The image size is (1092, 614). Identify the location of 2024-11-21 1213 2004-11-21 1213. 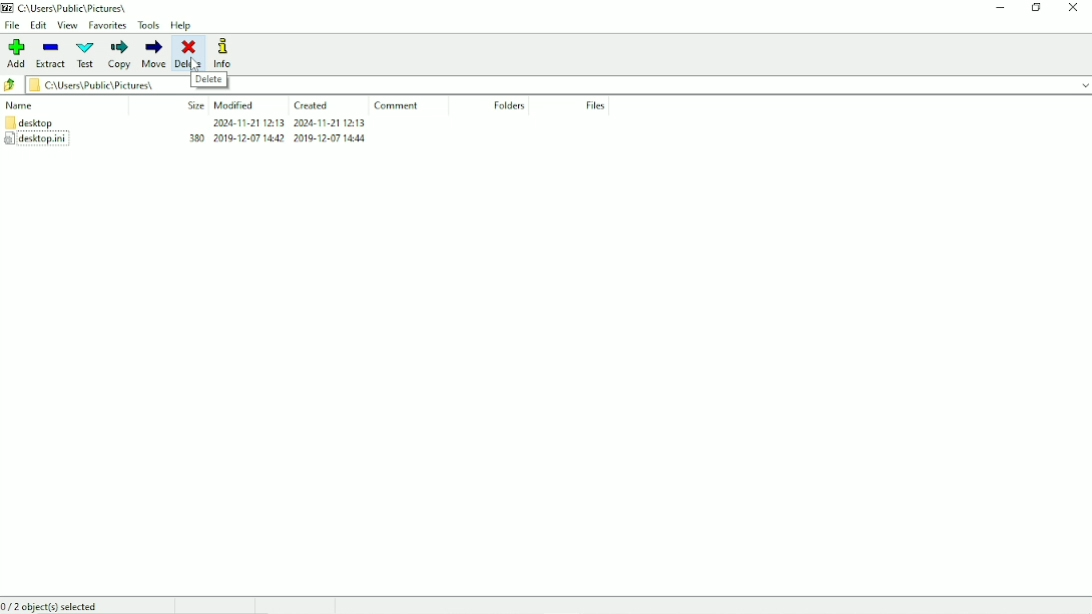
(294, 124).